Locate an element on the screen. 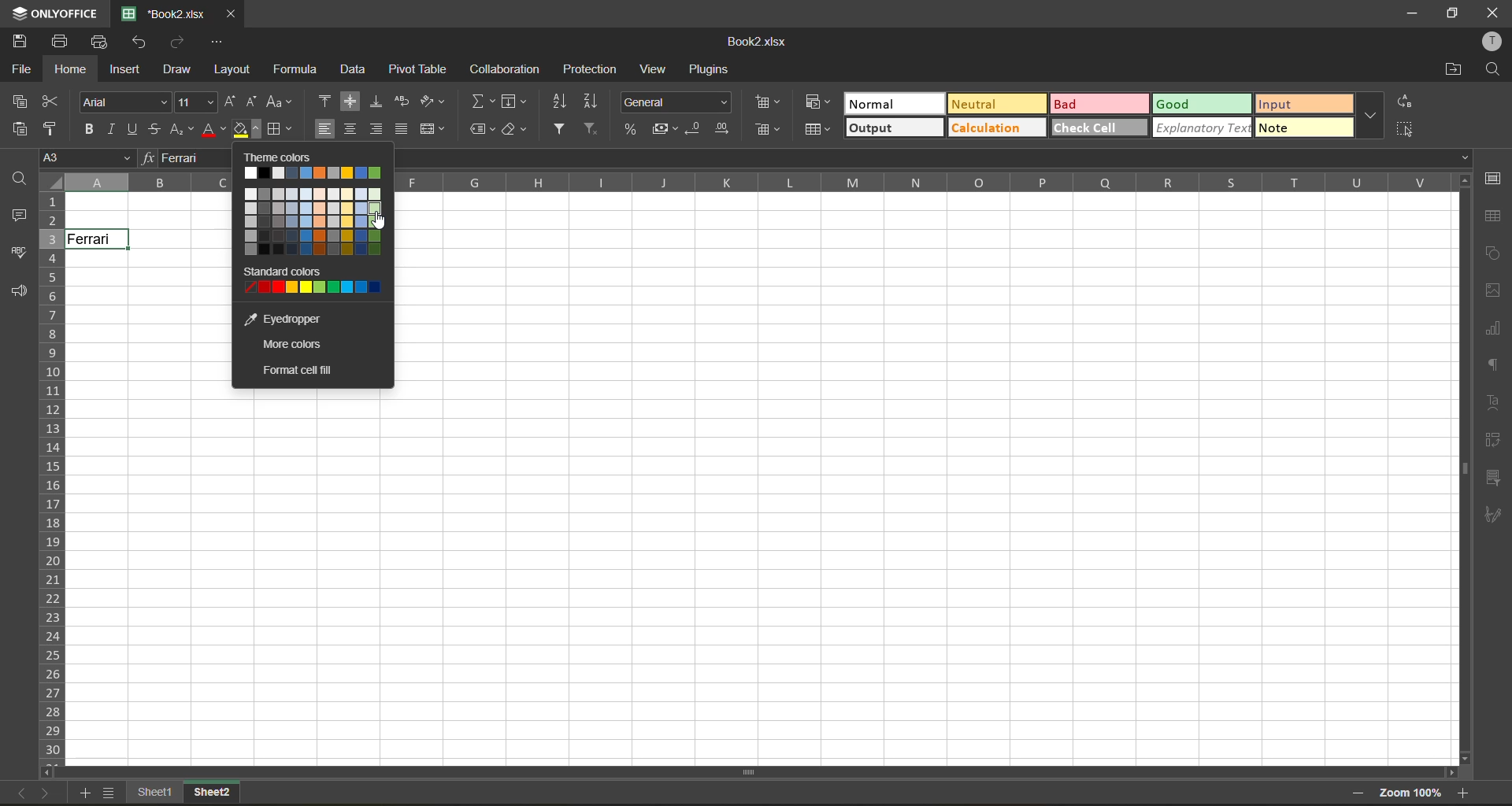 The image size is (1512, 806). layout is located at coordinates (232, 69).